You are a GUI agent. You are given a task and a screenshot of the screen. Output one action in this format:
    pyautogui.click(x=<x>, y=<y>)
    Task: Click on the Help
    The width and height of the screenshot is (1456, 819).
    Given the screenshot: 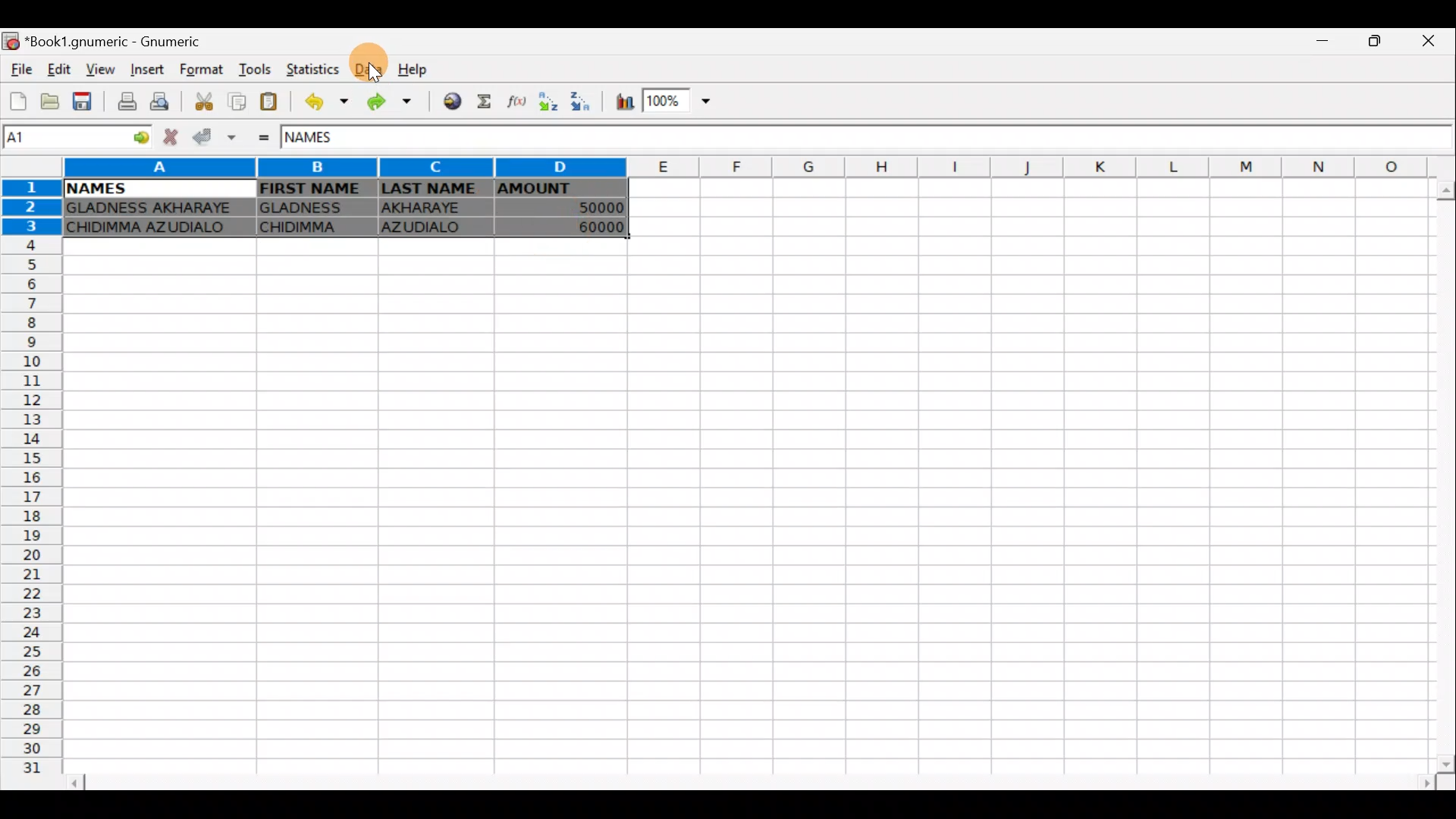 What is the action you would take?
    pyautogui.click(x=423, y=66)
    